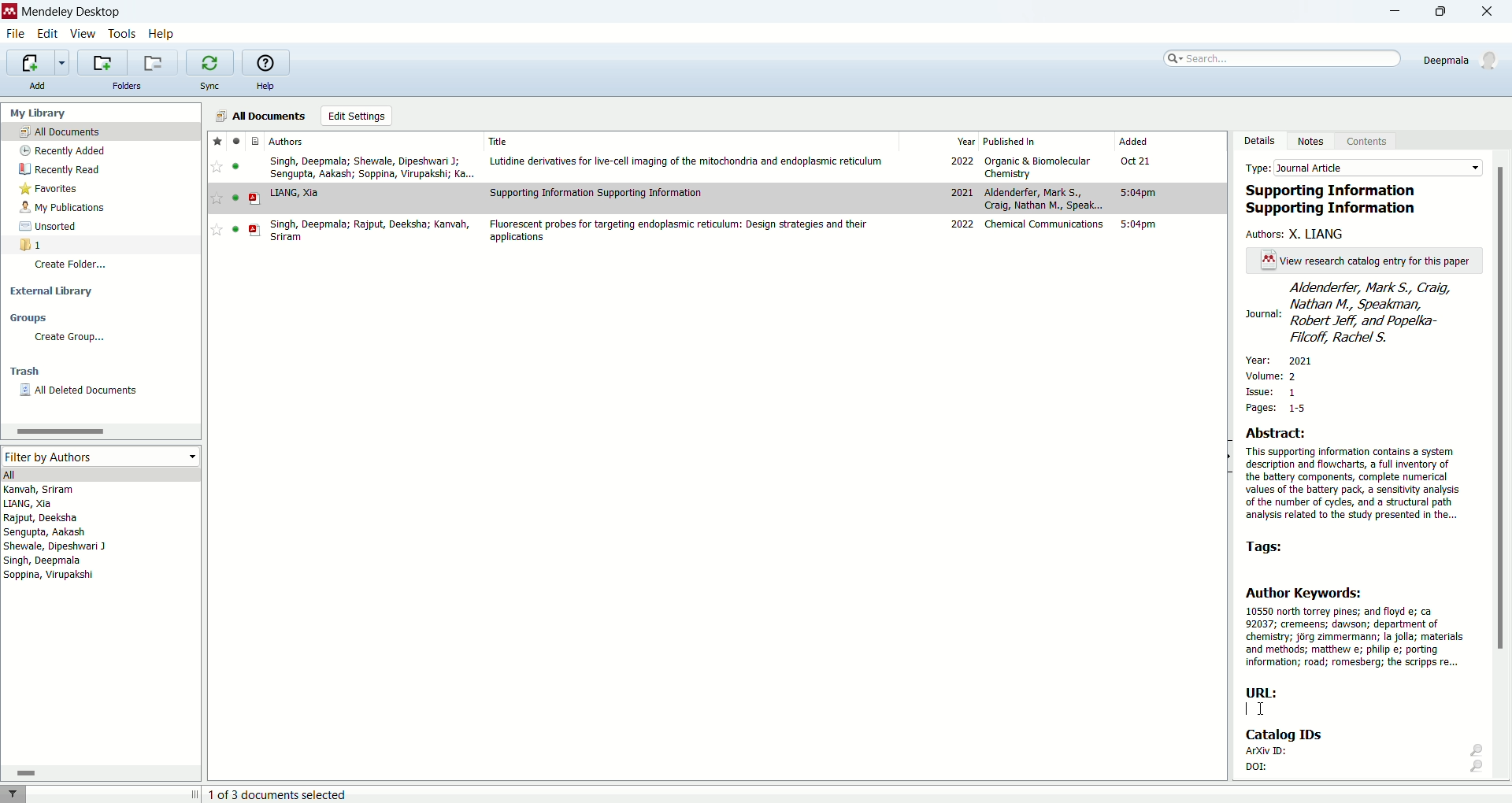  Describe the element at coordinates (98, 473) in the screenshot. I see `all` at that location.